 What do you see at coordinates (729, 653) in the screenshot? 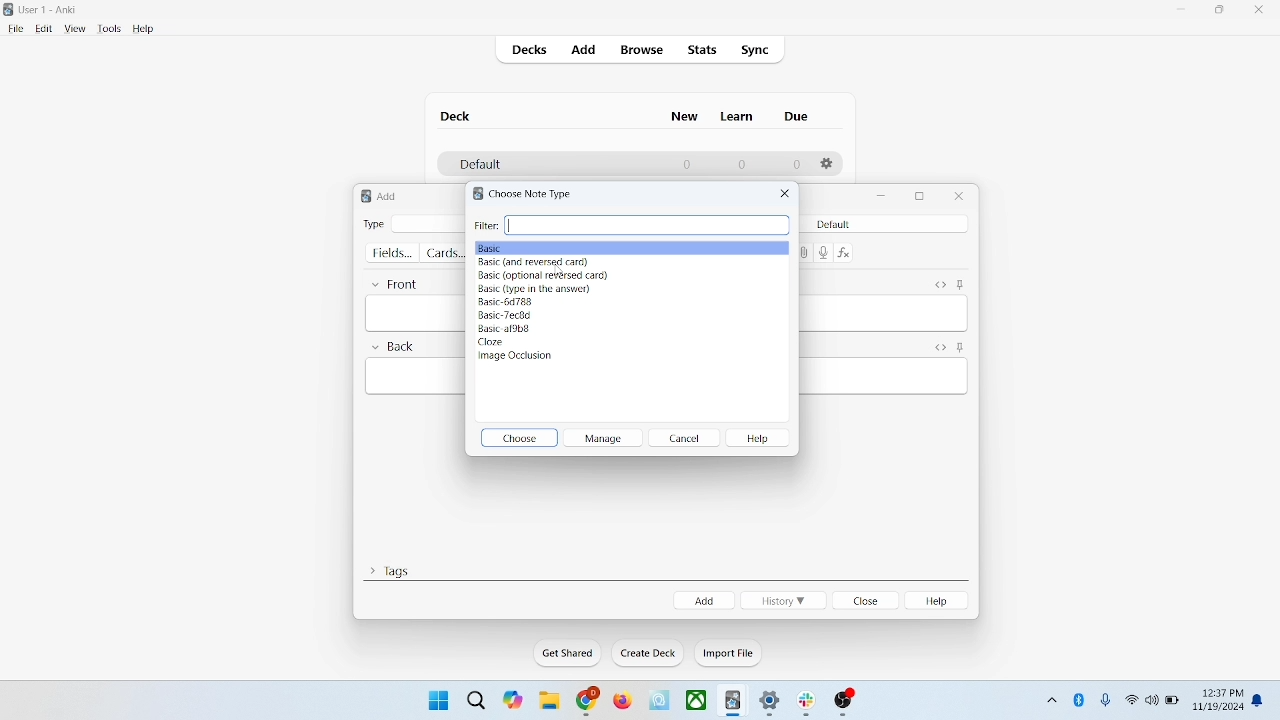
I see `import file` at bounding box center [729, 653].